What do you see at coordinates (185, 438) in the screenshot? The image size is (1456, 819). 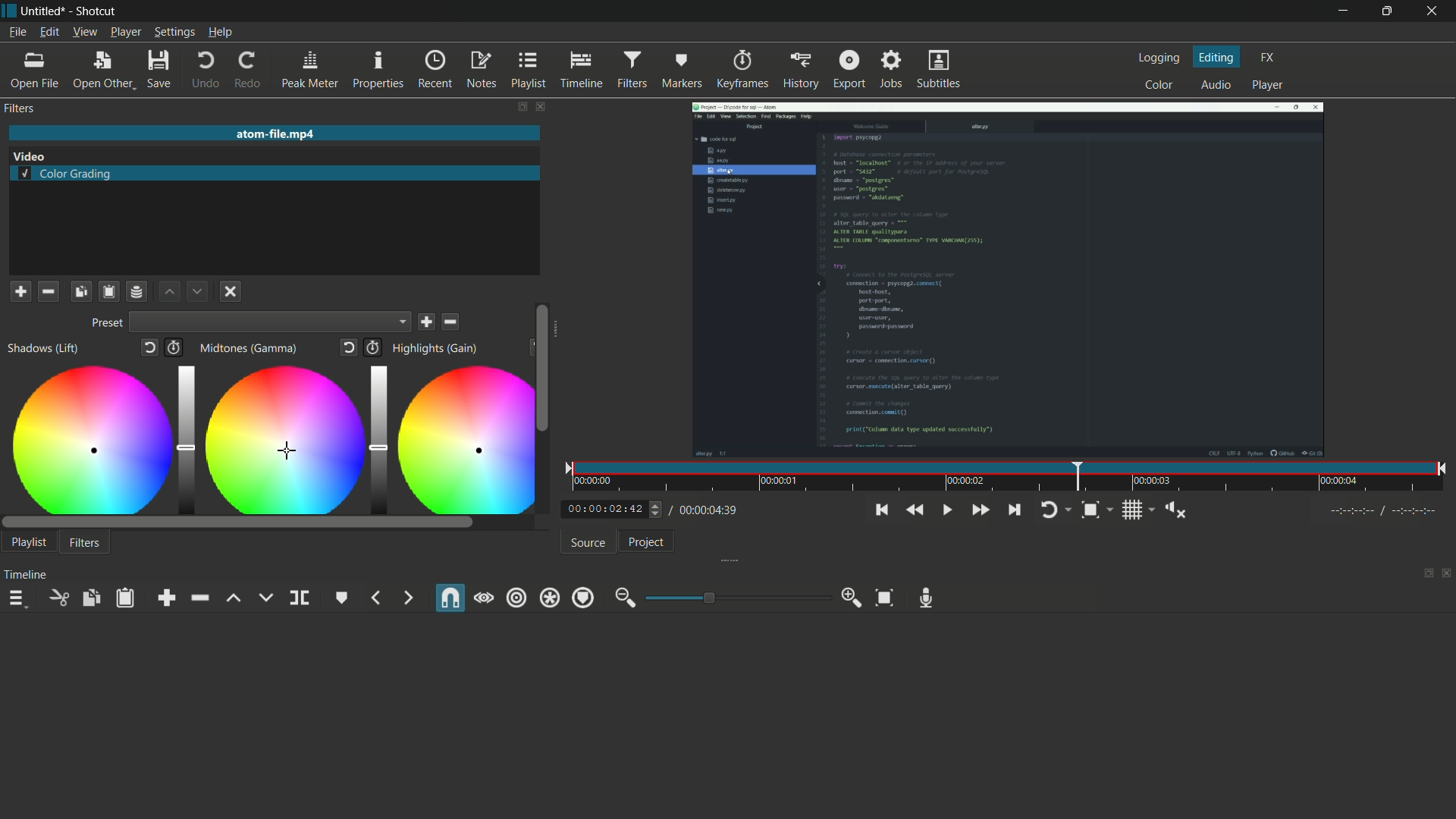 I see `adjustment bar` at bounding box center [185, 438].